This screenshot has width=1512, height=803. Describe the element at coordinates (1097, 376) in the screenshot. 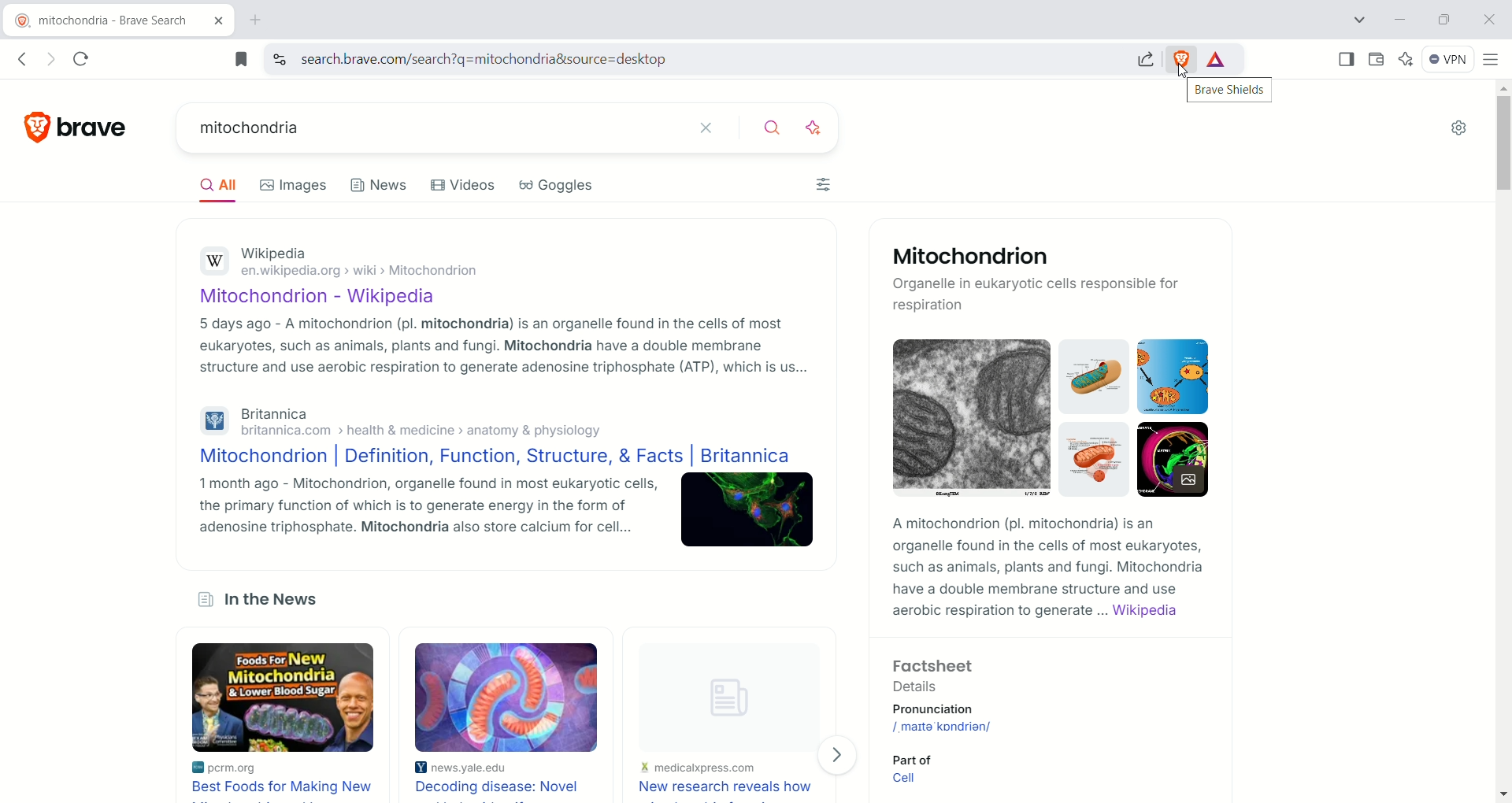

I see `Image` at that location.